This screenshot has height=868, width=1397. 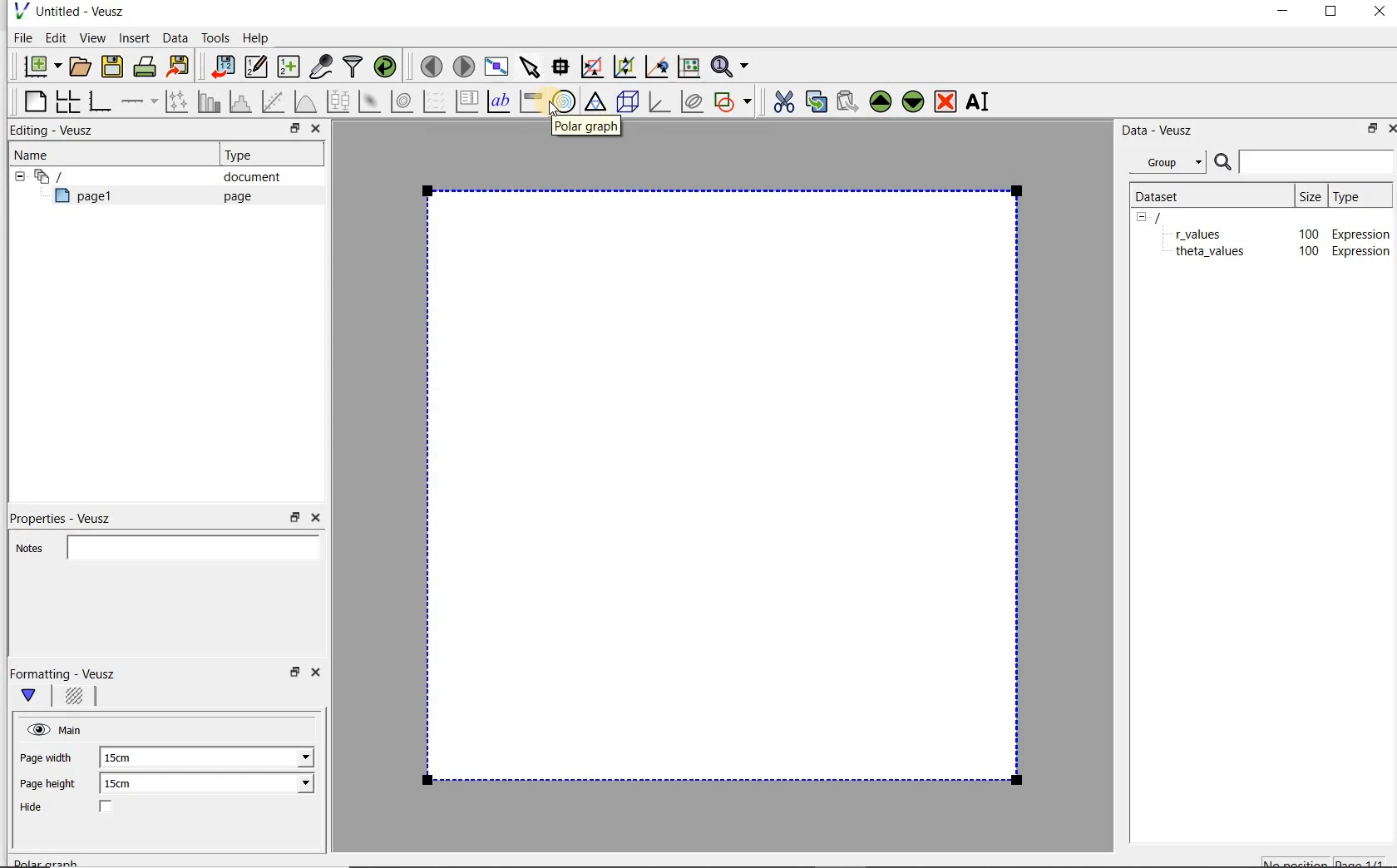 What do you see at coordinates (817, 101) in the screenshot?
I see `copy the selected widget` at bounding box center [817, 101].